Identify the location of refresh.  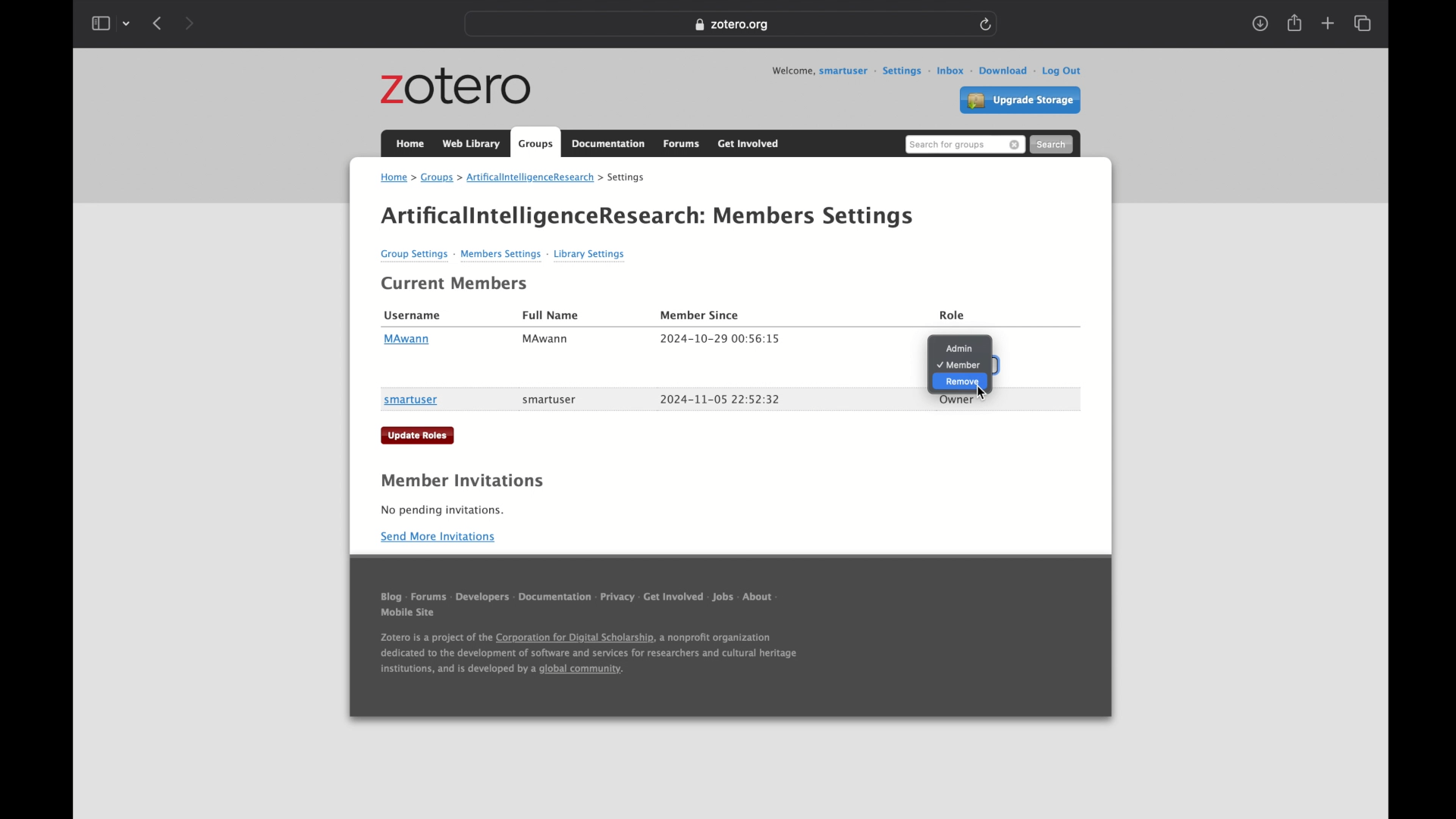
(987, 24).